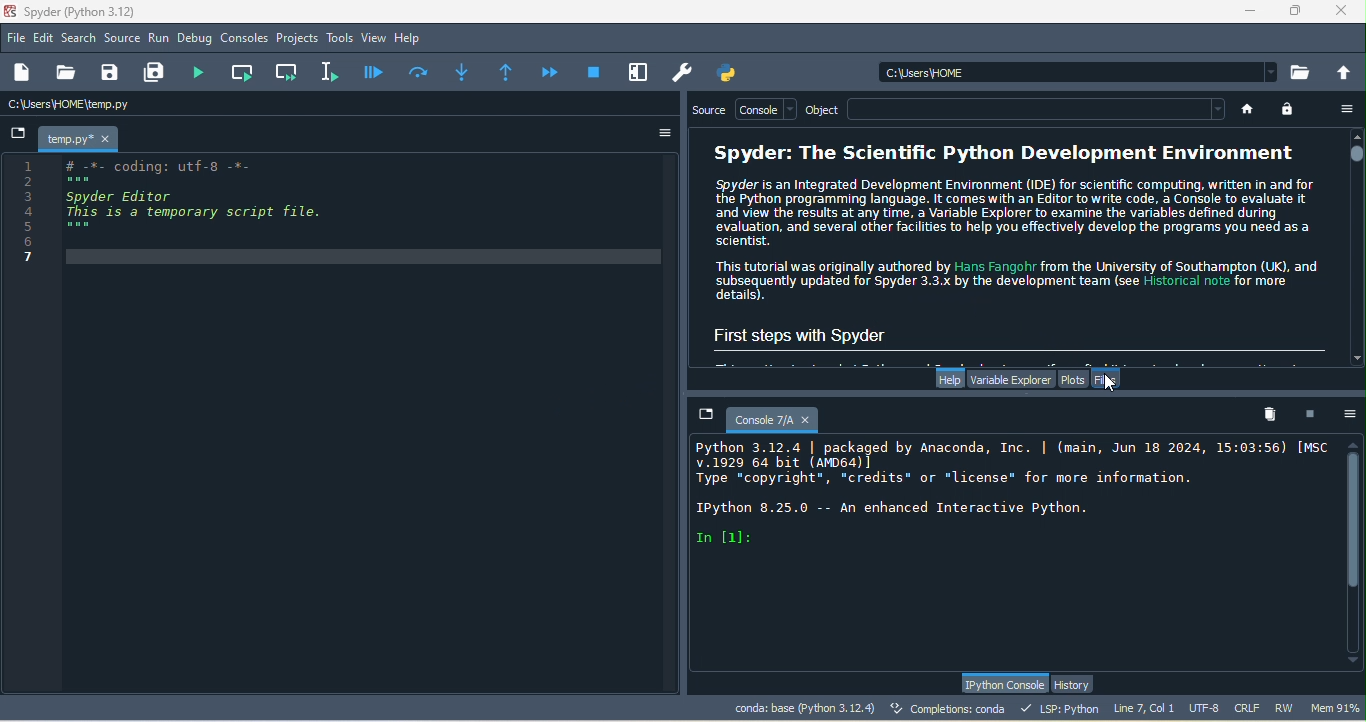 This screenshot has height=722, width=1366. I want to click on continue execution, so click(552, 72).